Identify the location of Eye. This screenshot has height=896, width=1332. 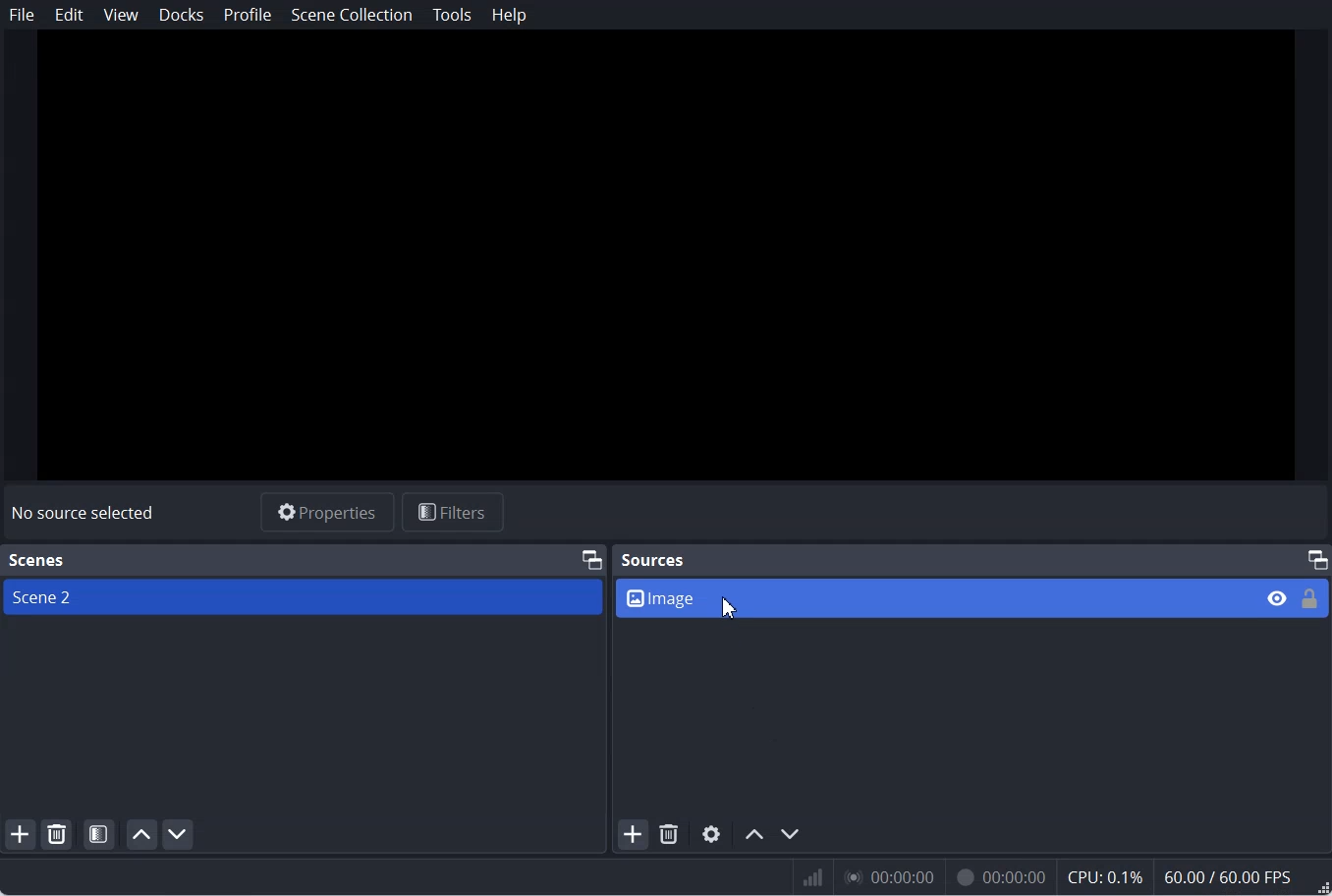
(1277, 597).